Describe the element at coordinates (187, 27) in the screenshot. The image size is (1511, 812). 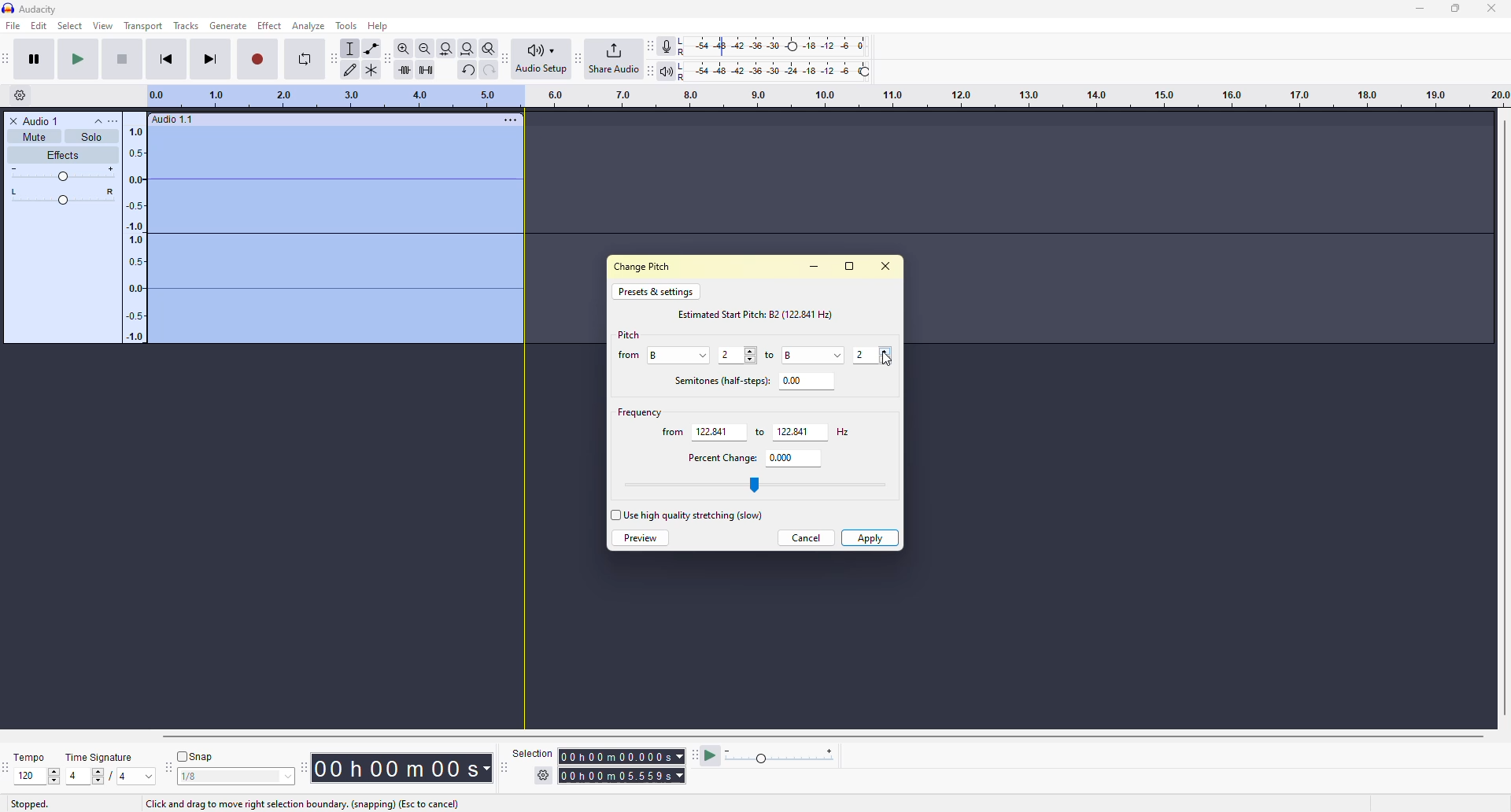
I see `tracks` at that location.